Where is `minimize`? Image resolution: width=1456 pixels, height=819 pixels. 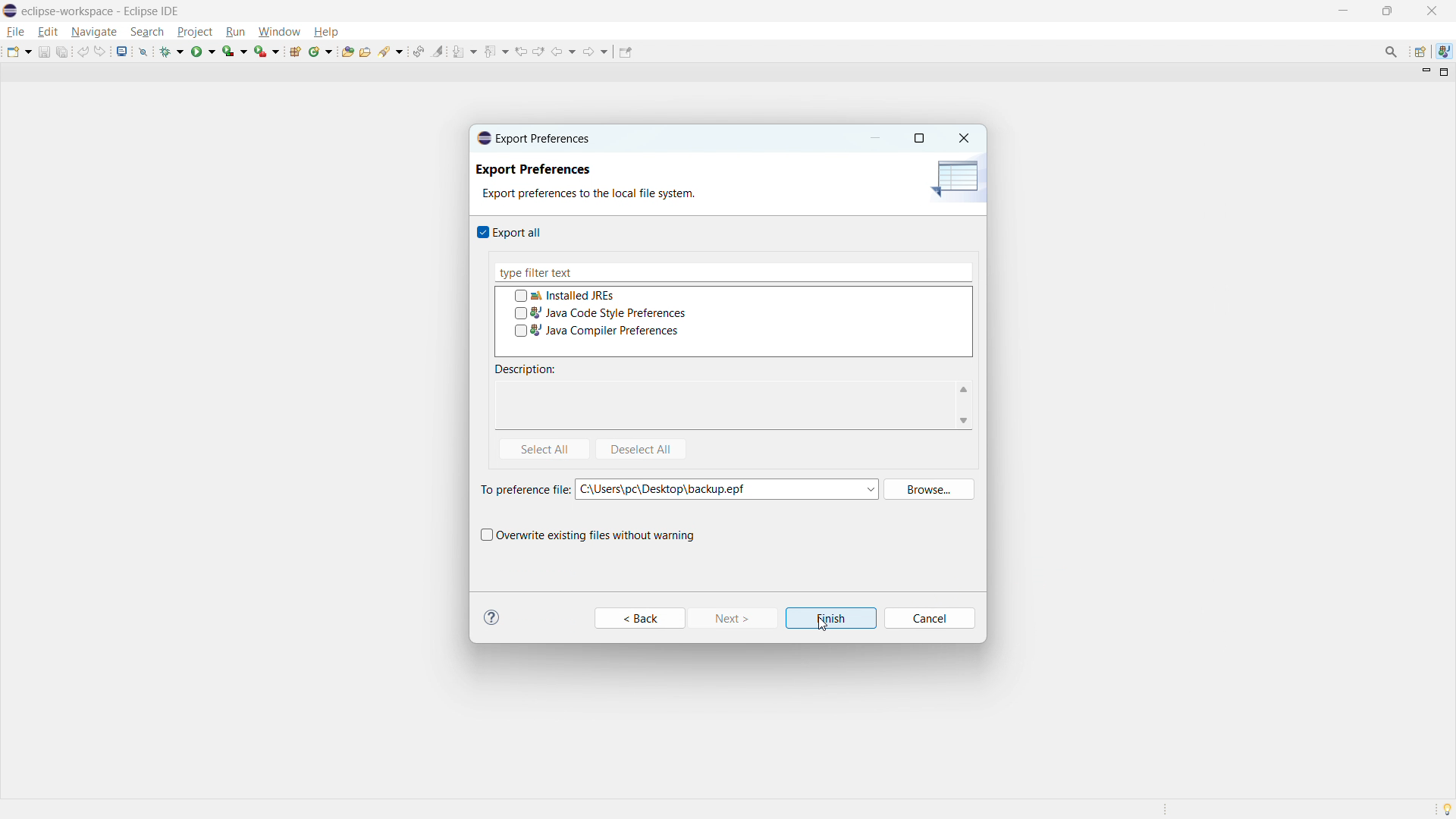
minimize is located at coordinates (1341, 10).